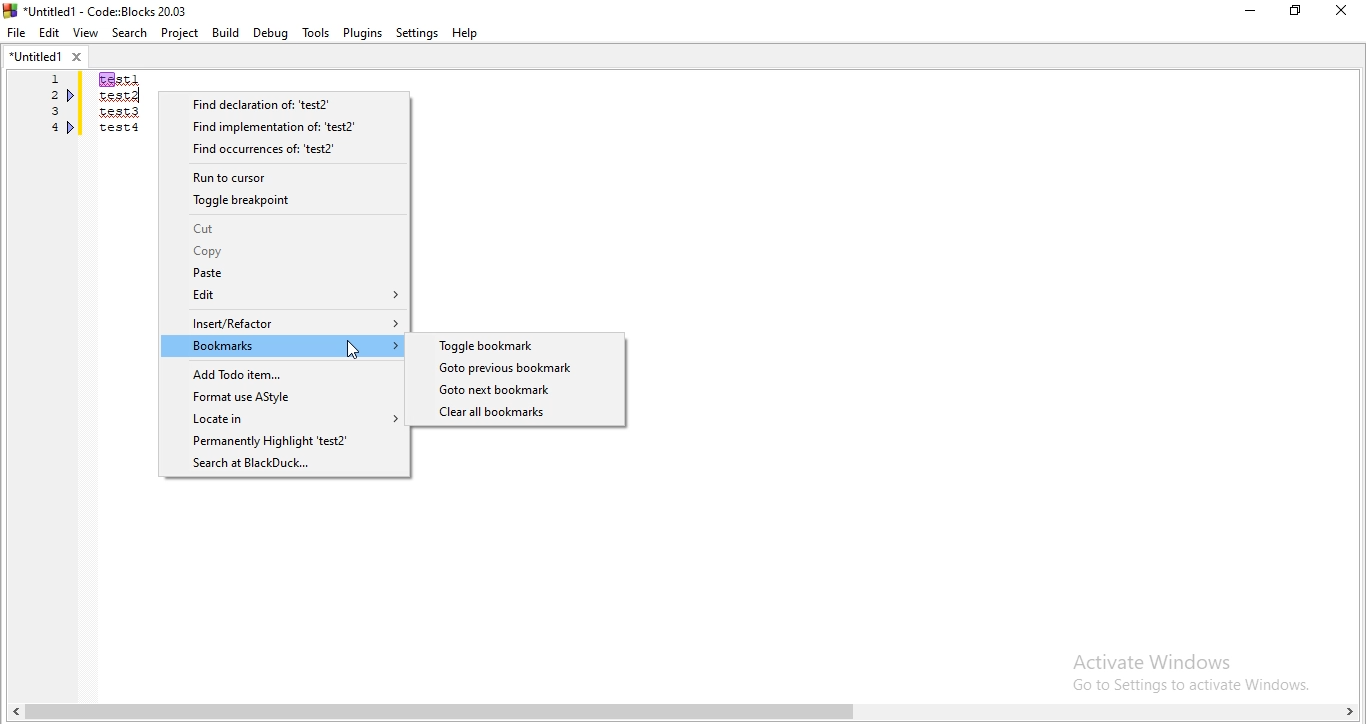  Describe the element at coordinates (517, 369) in the screenshot. I see `Goto previous bookmark` at that location.